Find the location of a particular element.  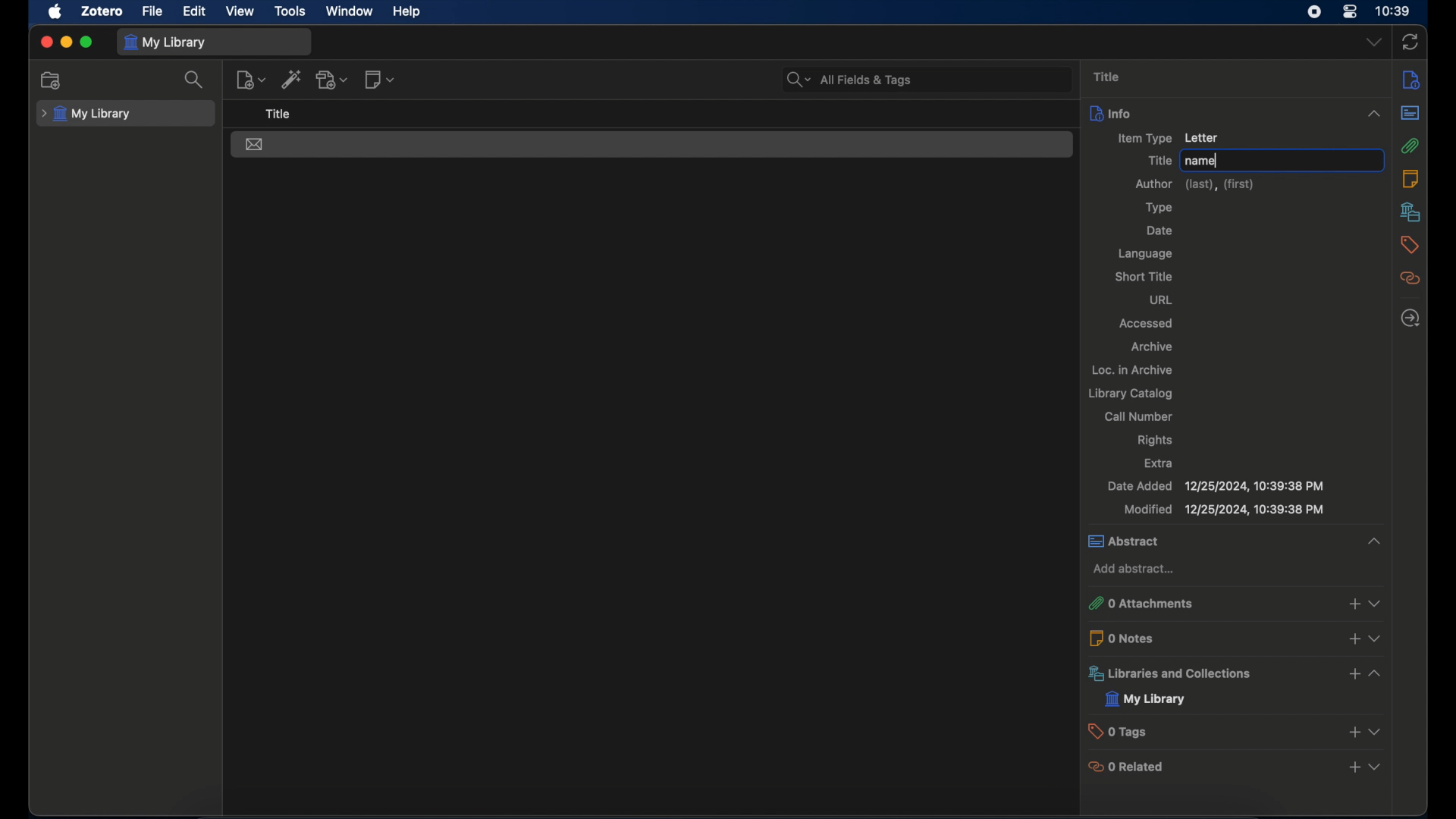

item type is located at coordinates (1144, 137).